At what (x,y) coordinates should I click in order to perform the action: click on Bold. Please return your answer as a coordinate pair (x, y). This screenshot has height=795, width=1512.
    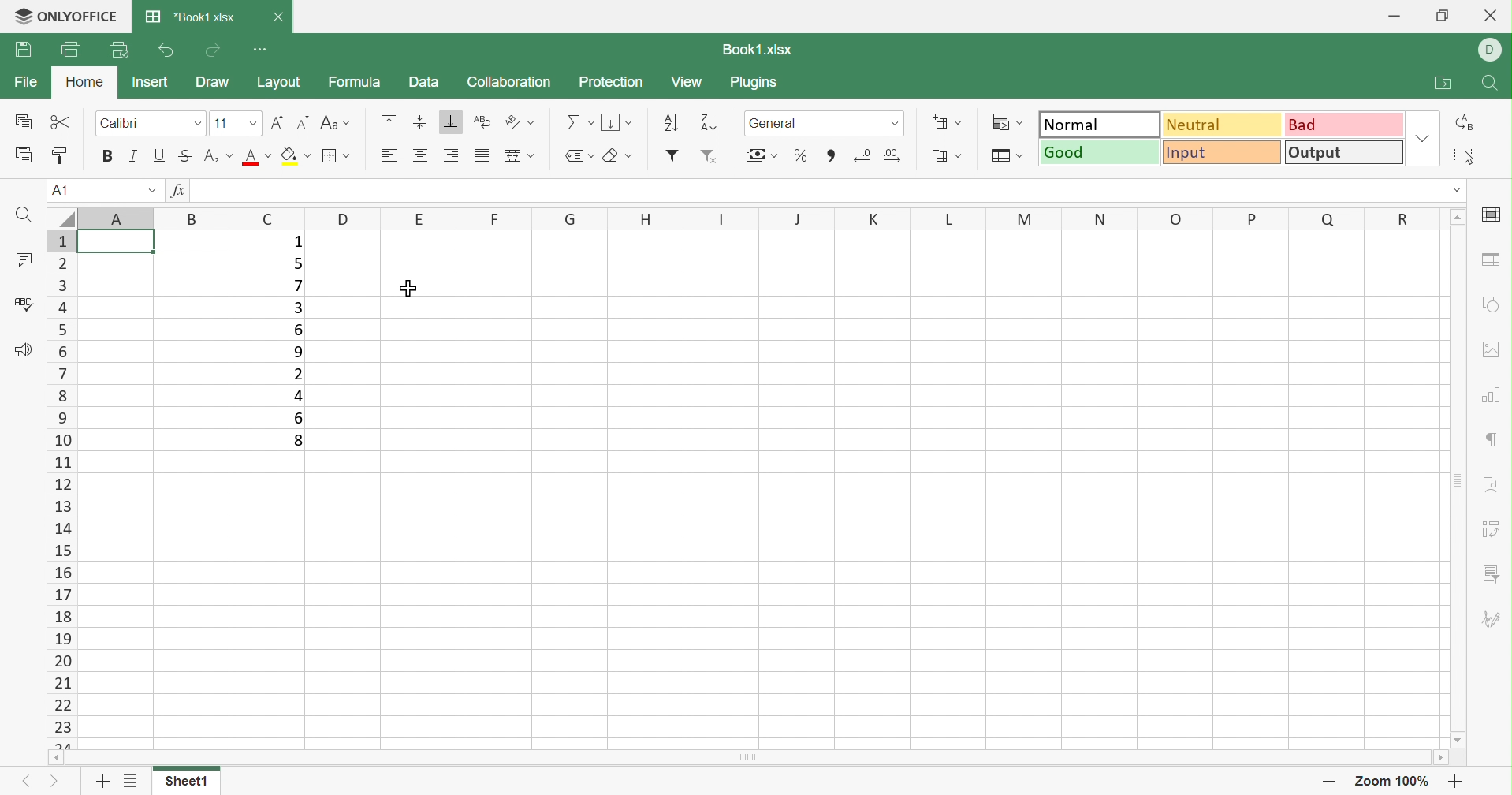
    Looking at the image, I should click on (106, 158).